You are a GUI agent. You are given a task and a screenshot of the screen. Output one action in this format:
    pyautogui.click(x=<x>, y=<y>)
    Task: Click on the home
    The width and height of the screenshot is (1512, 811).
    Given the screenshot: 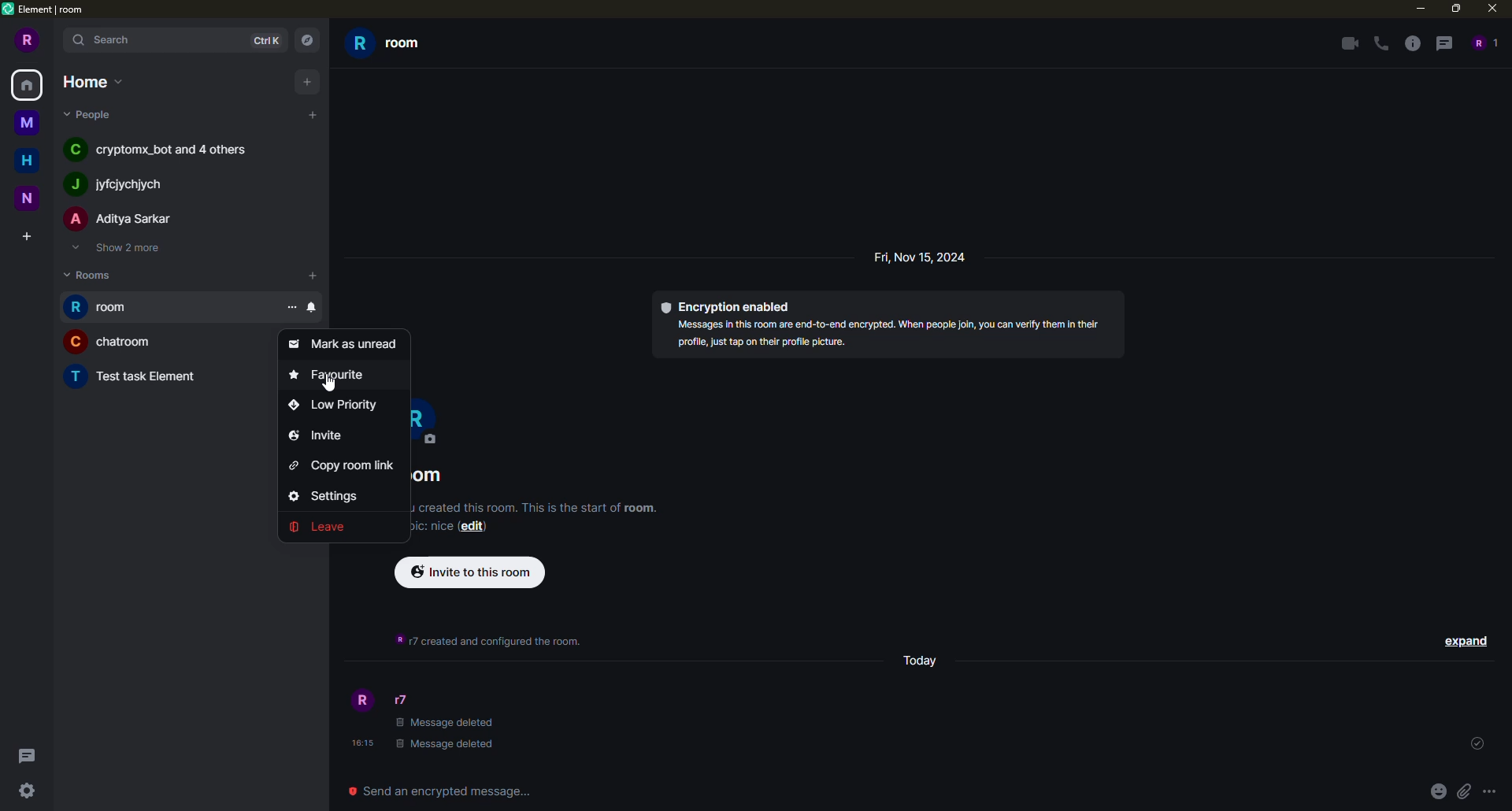 What is the action you would take?
    pyautogui.click(x=91, y=81)
    